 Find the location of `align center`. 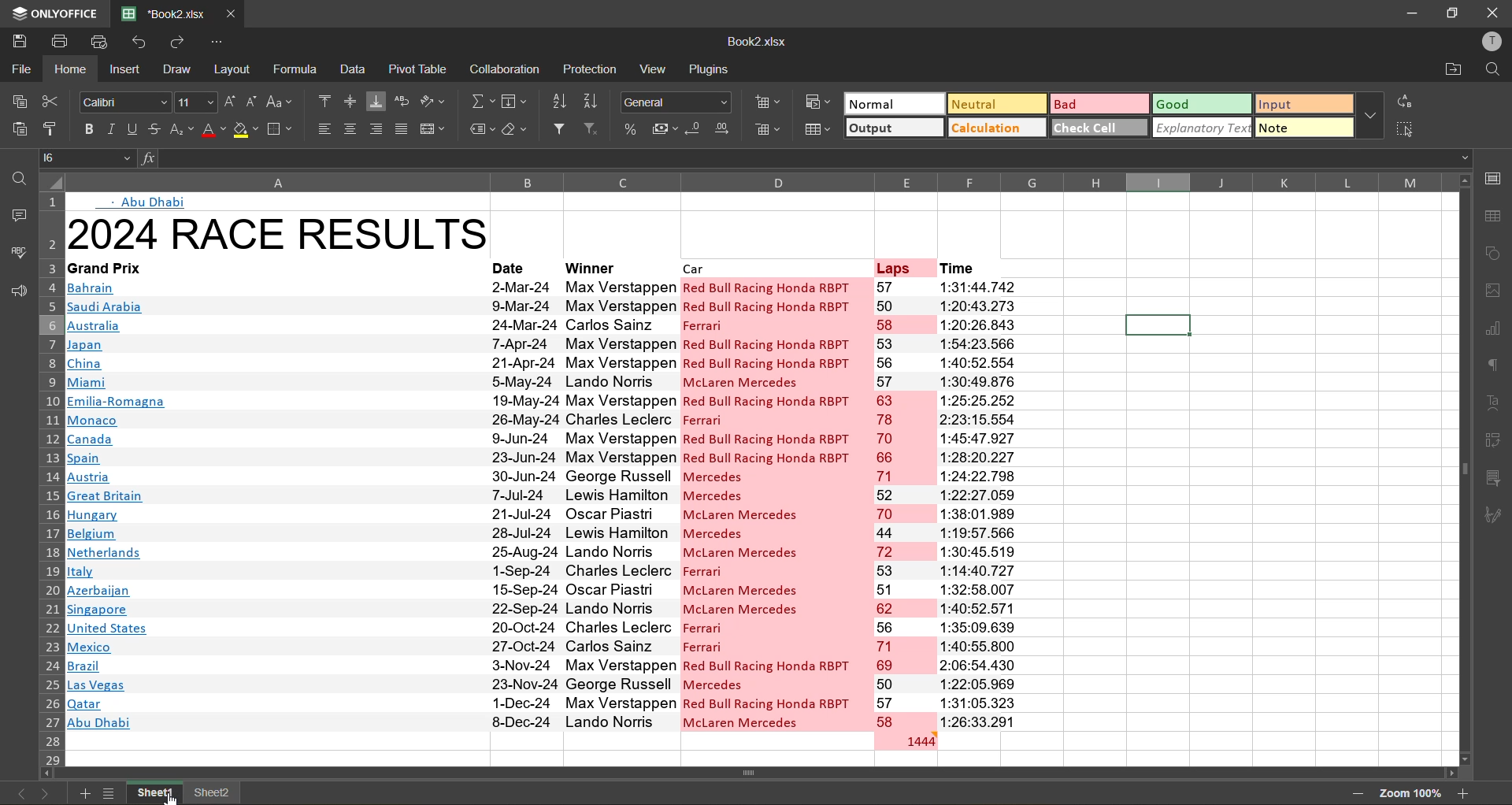

align center is located at coordinates (350, 127).